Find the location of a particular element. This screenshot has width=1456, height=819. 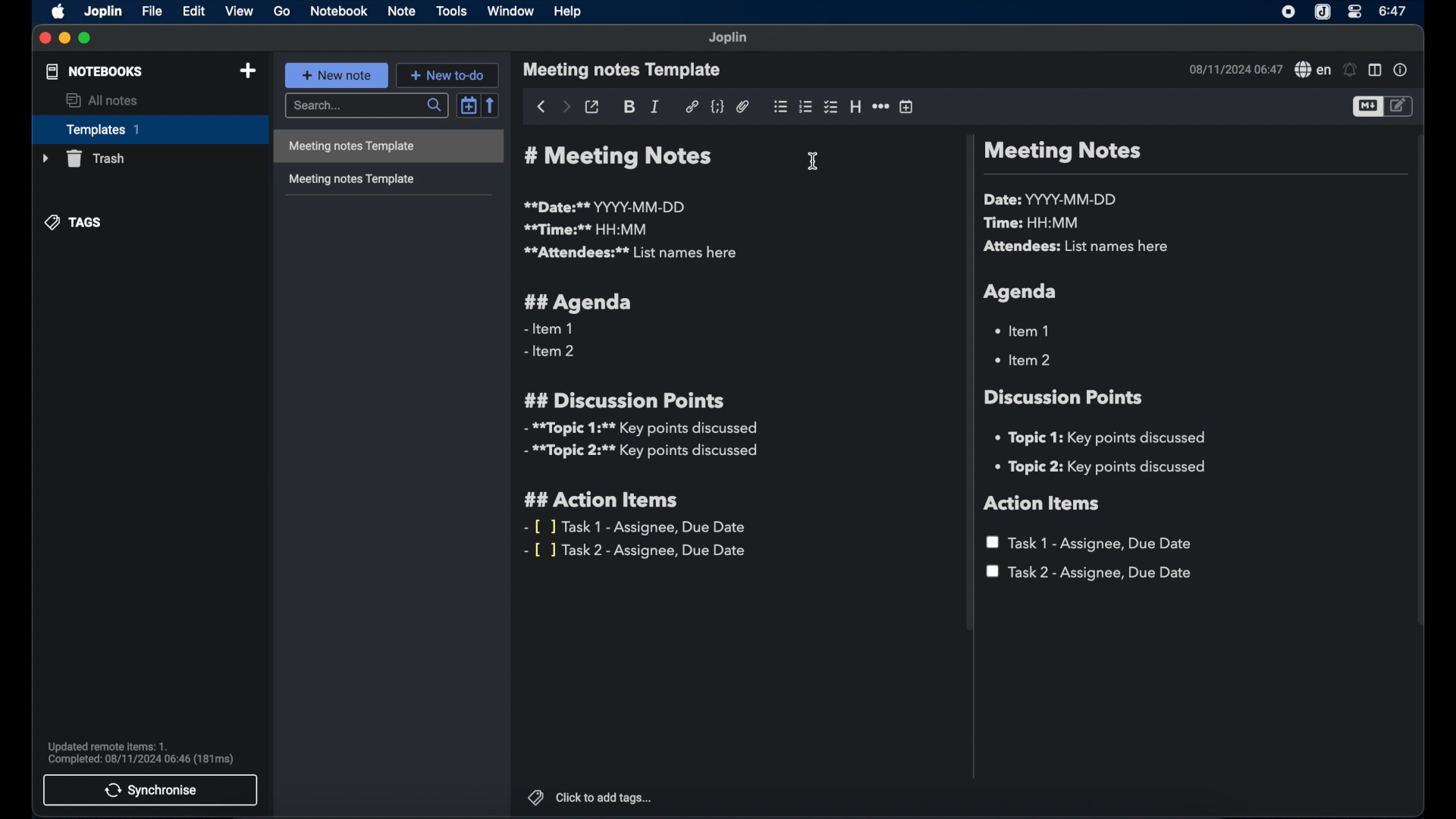

toggle editor is located at coordinates (1365, 108).